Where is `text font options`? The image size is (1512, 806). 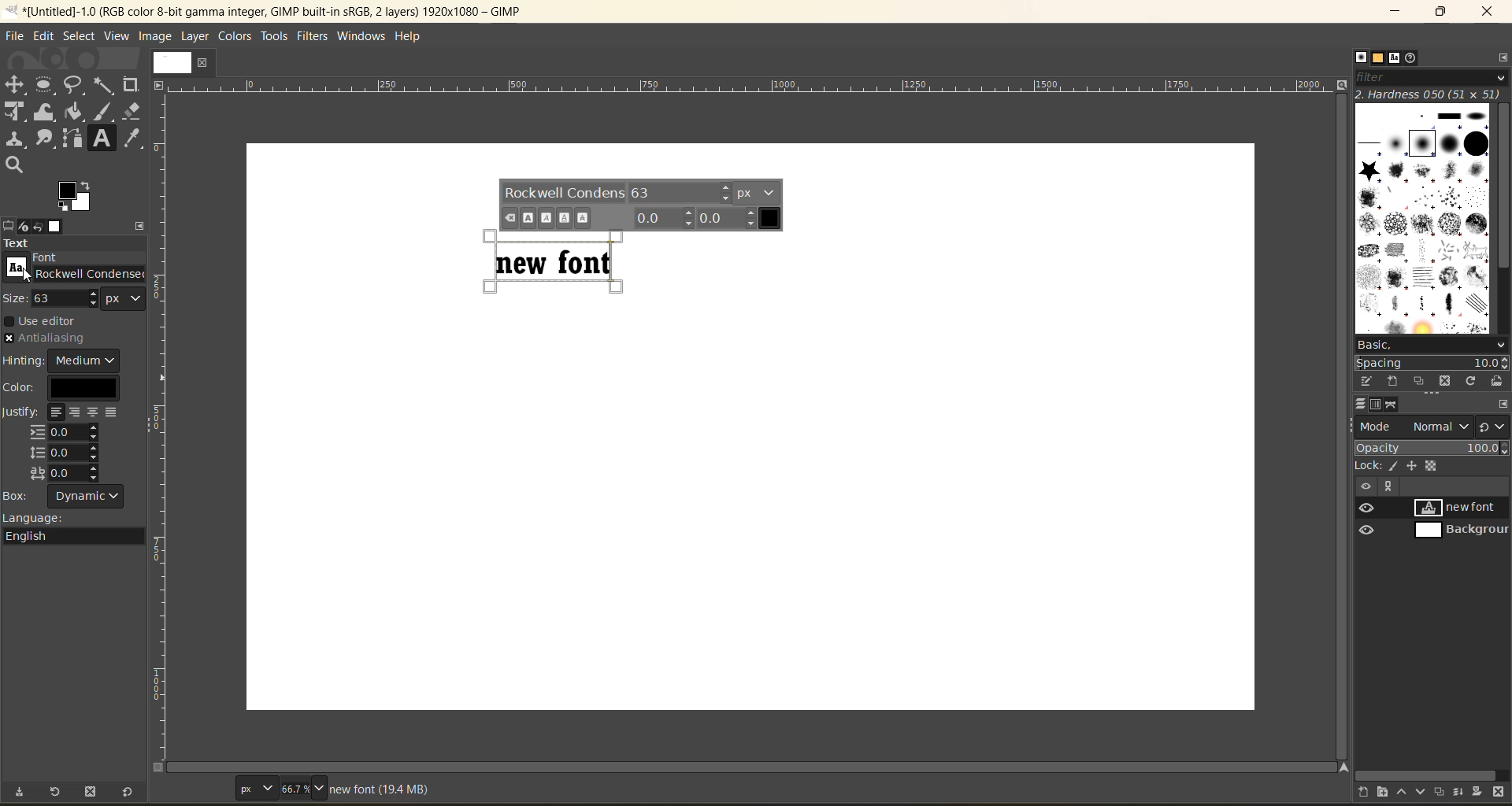 text font options is located at coordinates (643, 205).